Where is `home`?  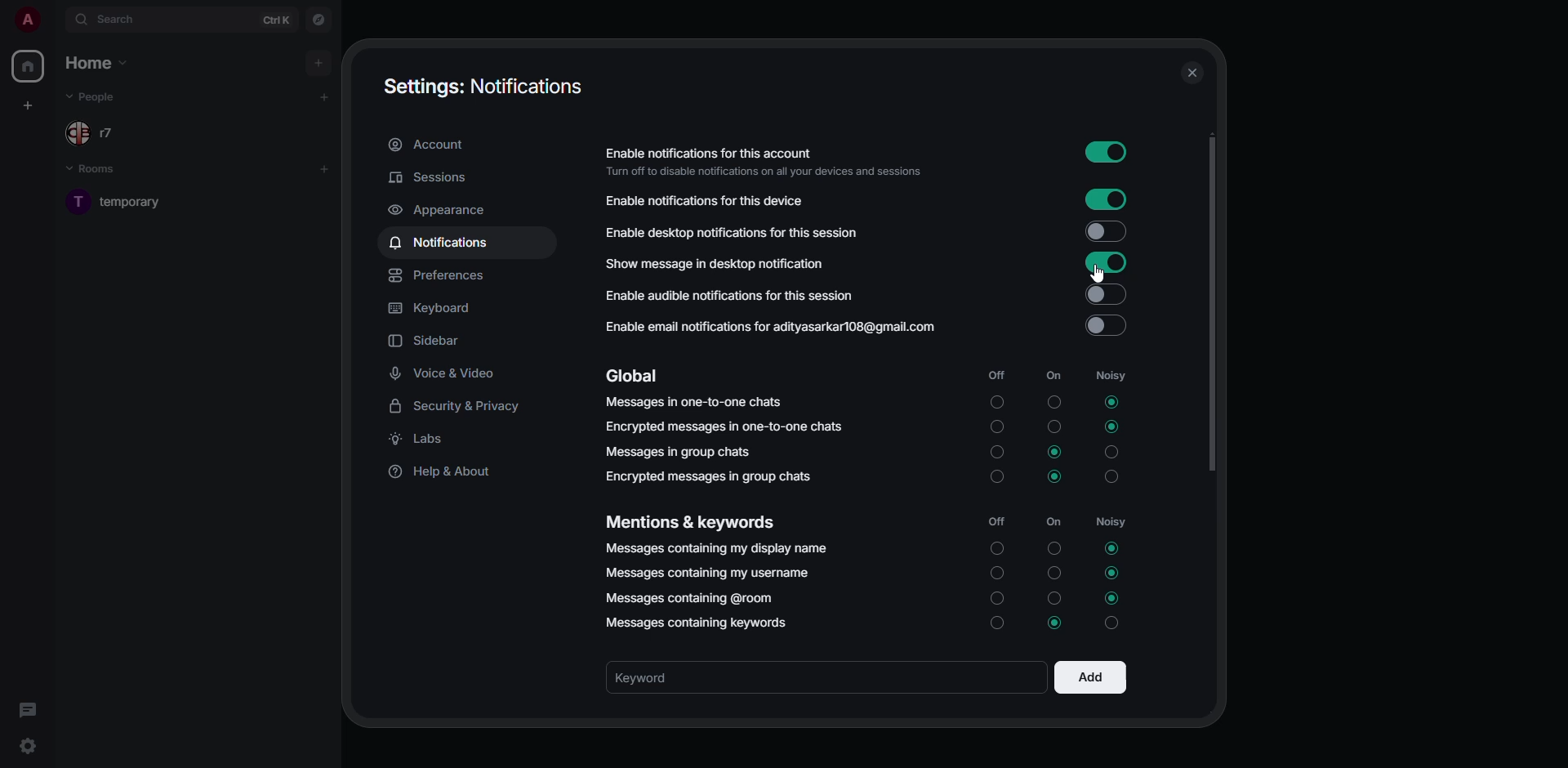
home is located at coordinates (30, 66).